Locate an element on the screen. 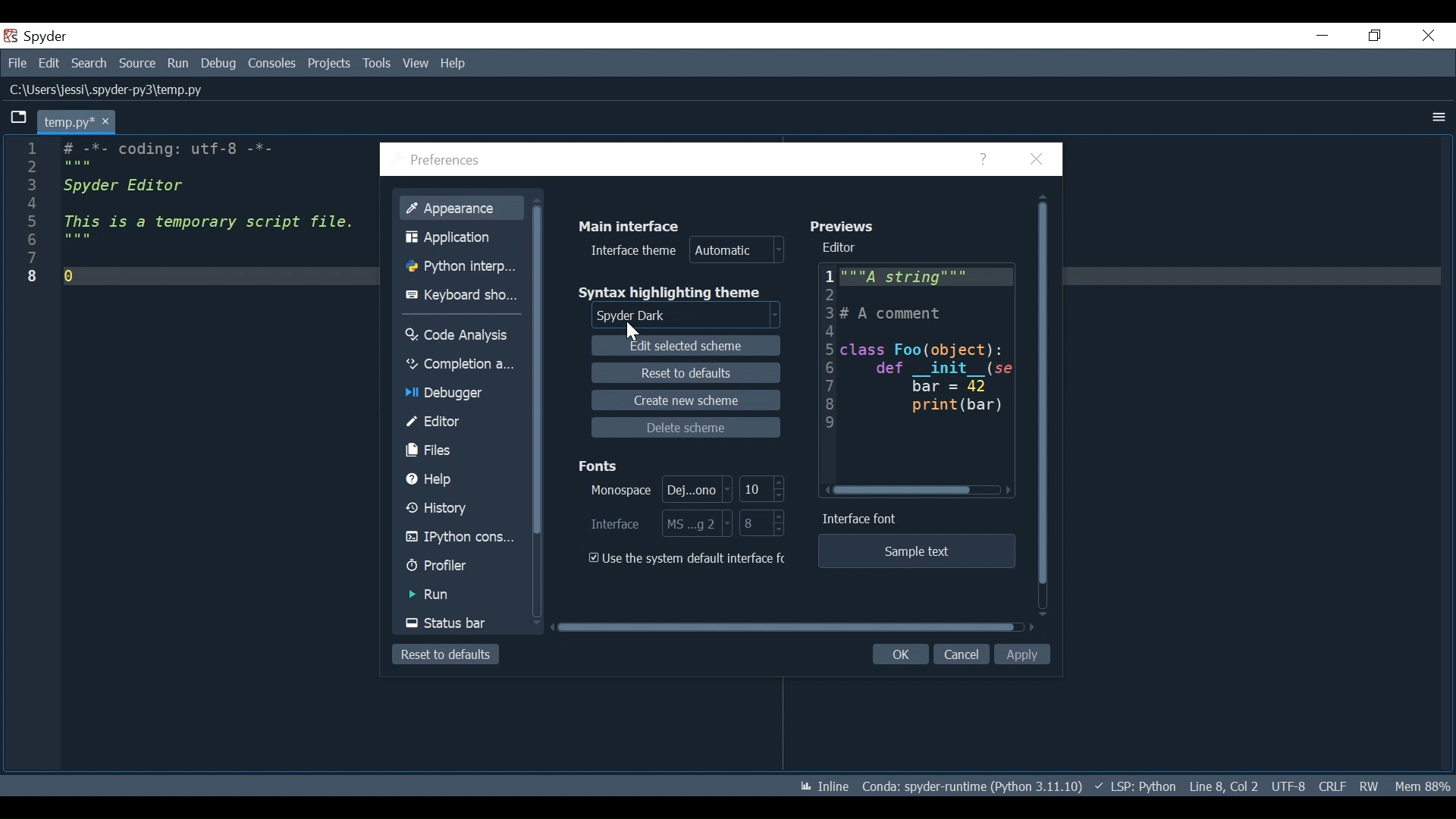  Help is located at coordinates (986, 160).